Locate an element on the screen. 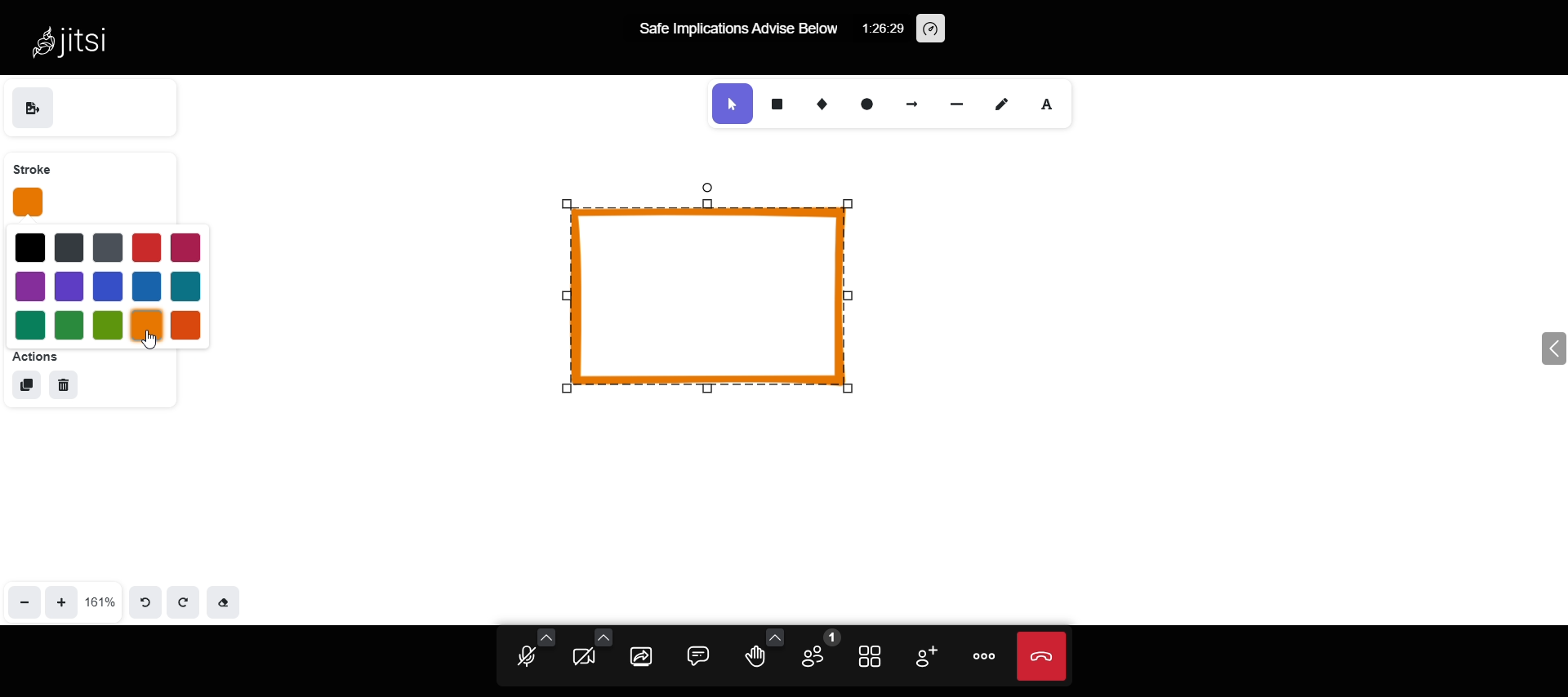 This screenshot has width=1568, height=697. purple is located at coordinates (29, 287).